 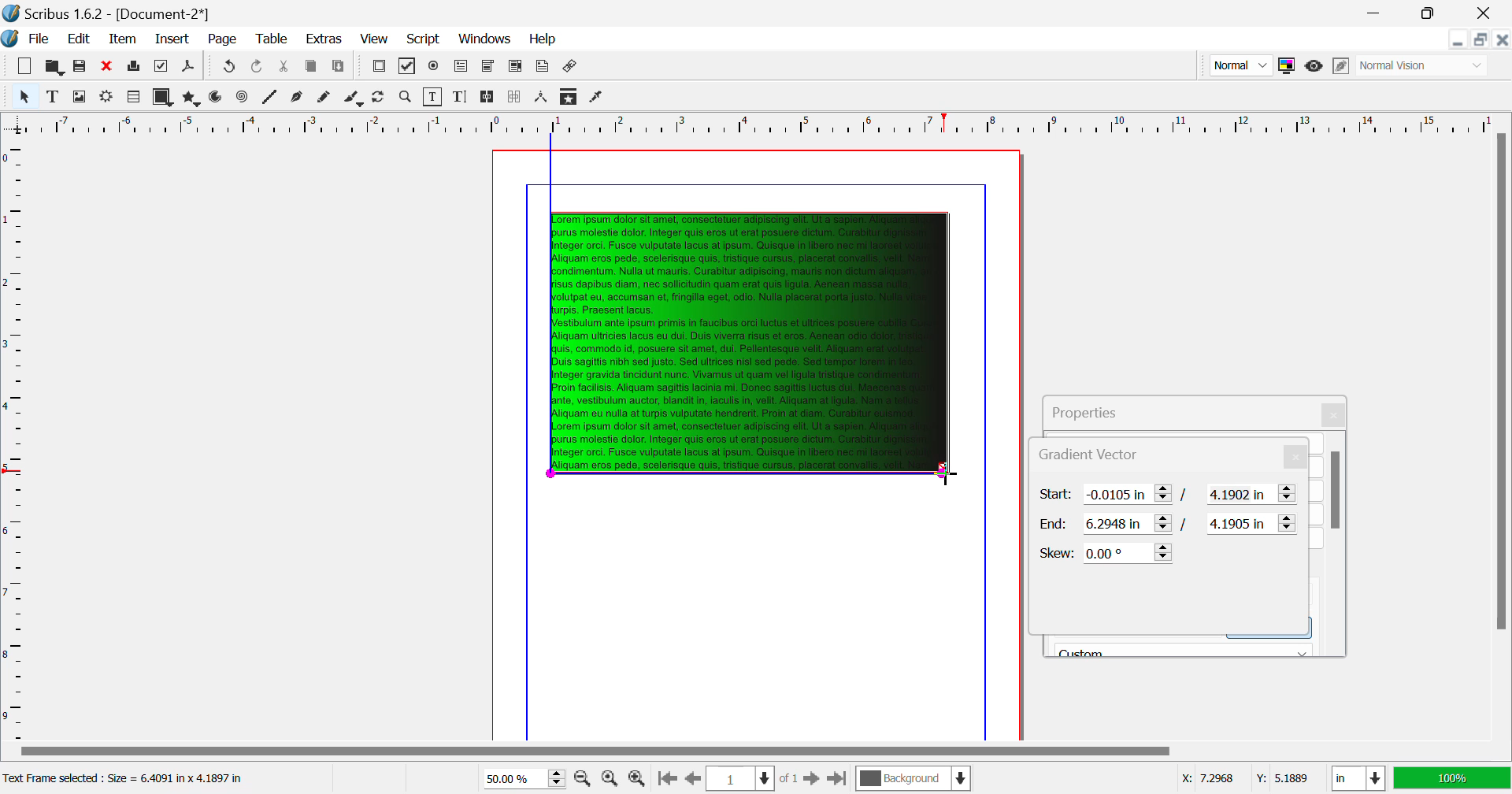 I want to click on Horizontal Page Margins, so click(x=15, y=439).